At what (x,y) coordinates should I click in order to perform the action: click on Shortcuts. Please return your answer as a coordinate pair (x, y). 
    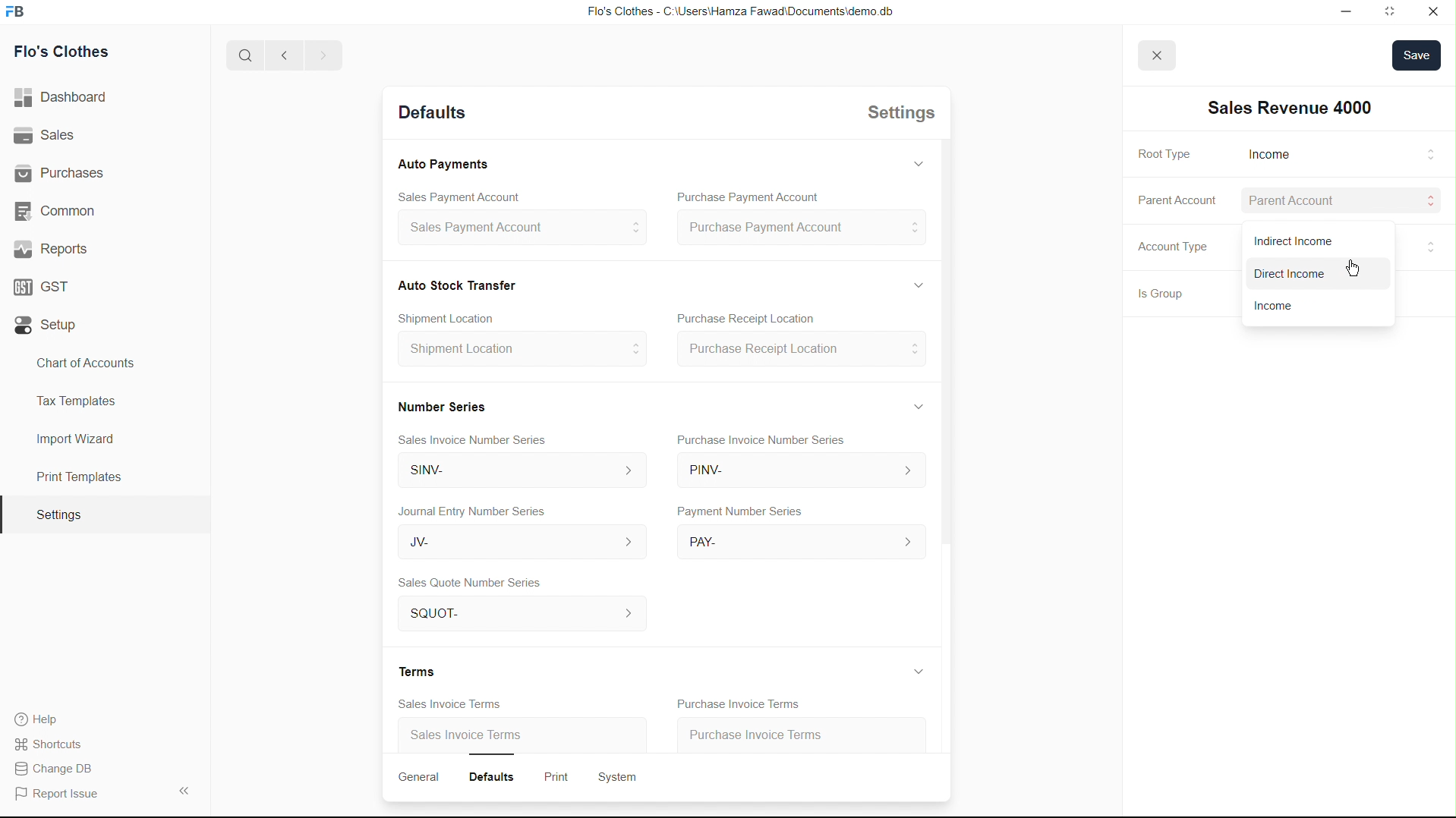
    Looking at the image, I should click on (57, 743).